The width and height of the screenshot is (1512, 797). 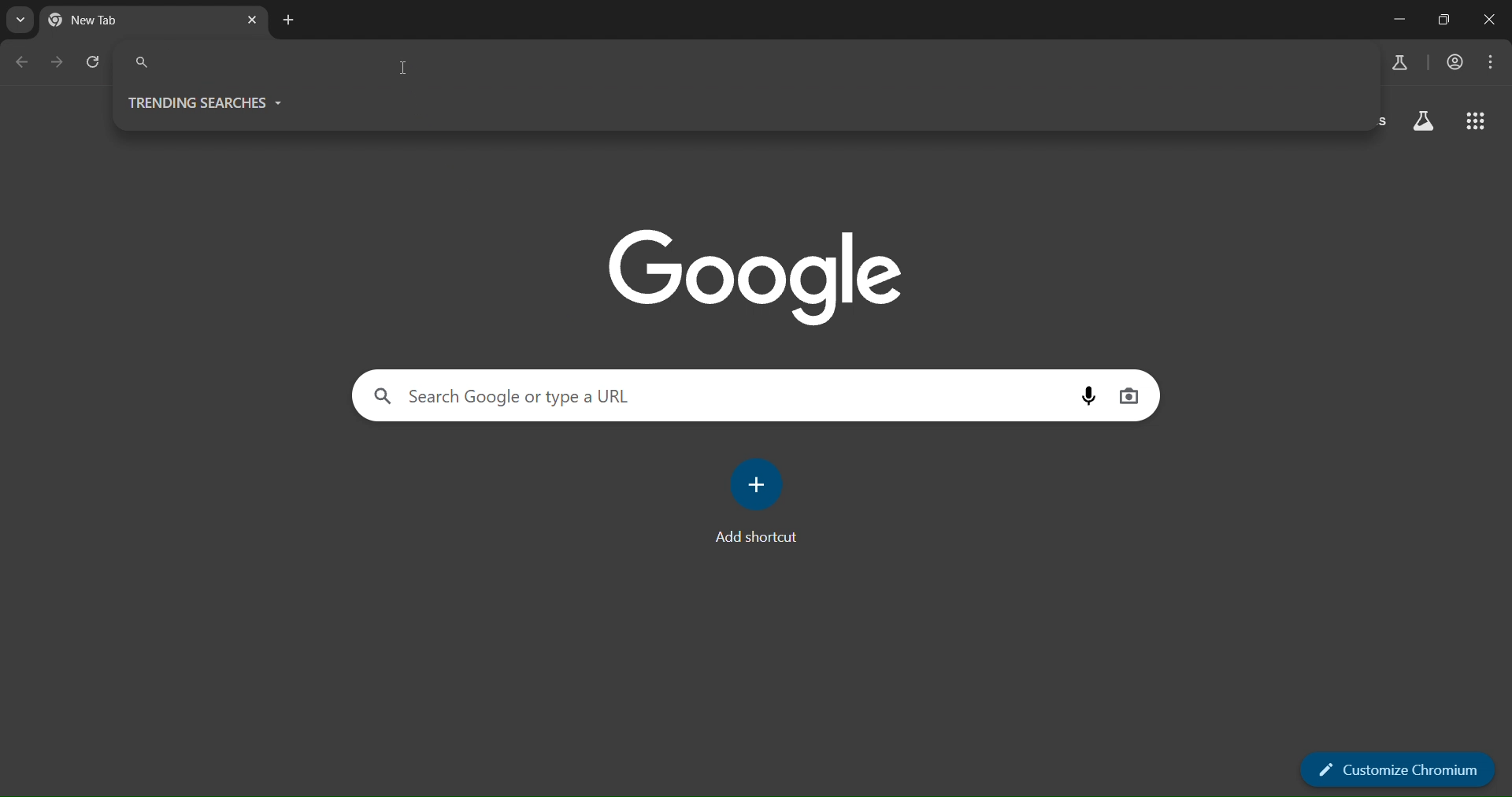 I want to click on New Tab, so click(x=114, y=21).